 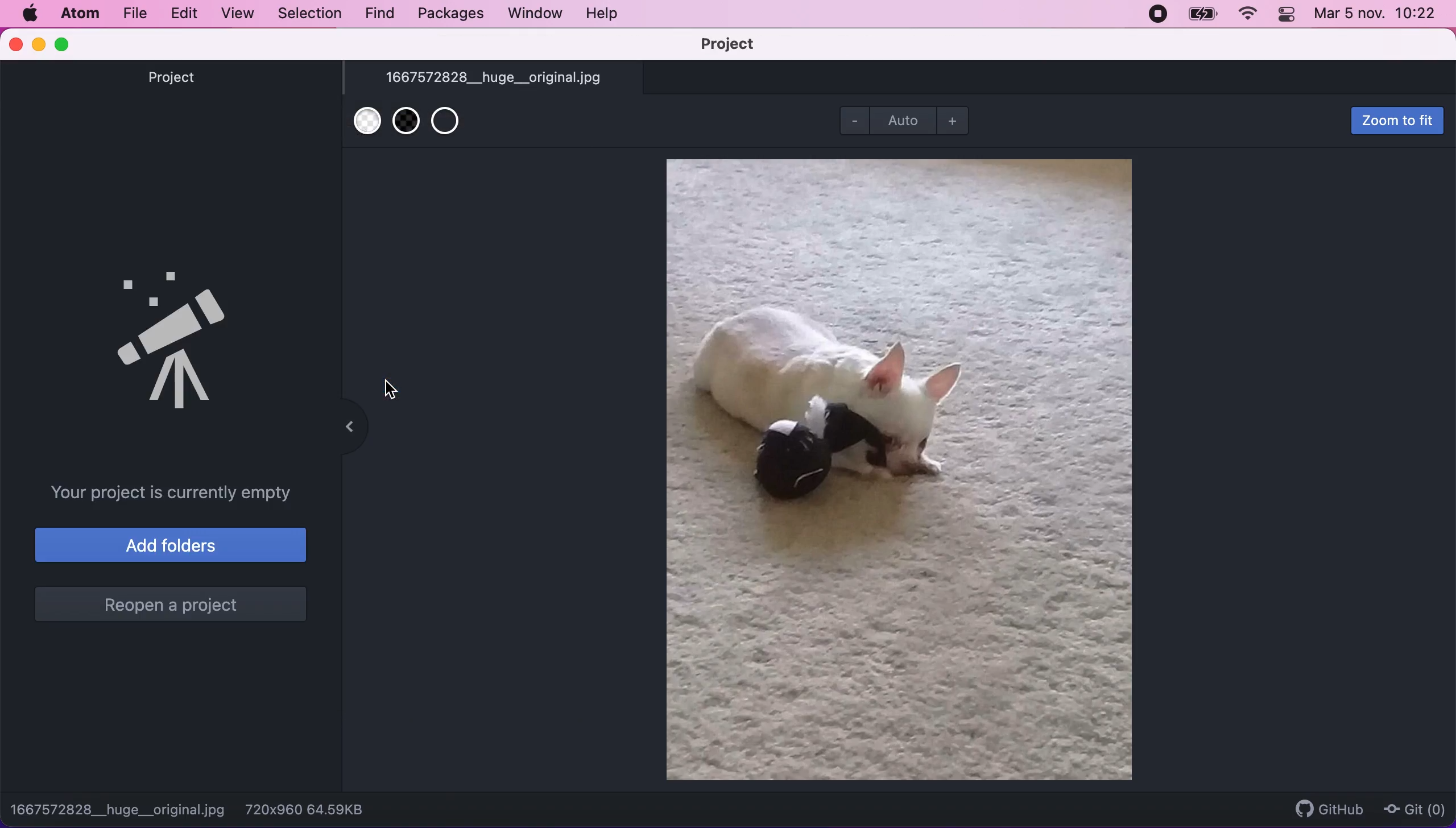 I want to click on find, so click(x=380, y=14).